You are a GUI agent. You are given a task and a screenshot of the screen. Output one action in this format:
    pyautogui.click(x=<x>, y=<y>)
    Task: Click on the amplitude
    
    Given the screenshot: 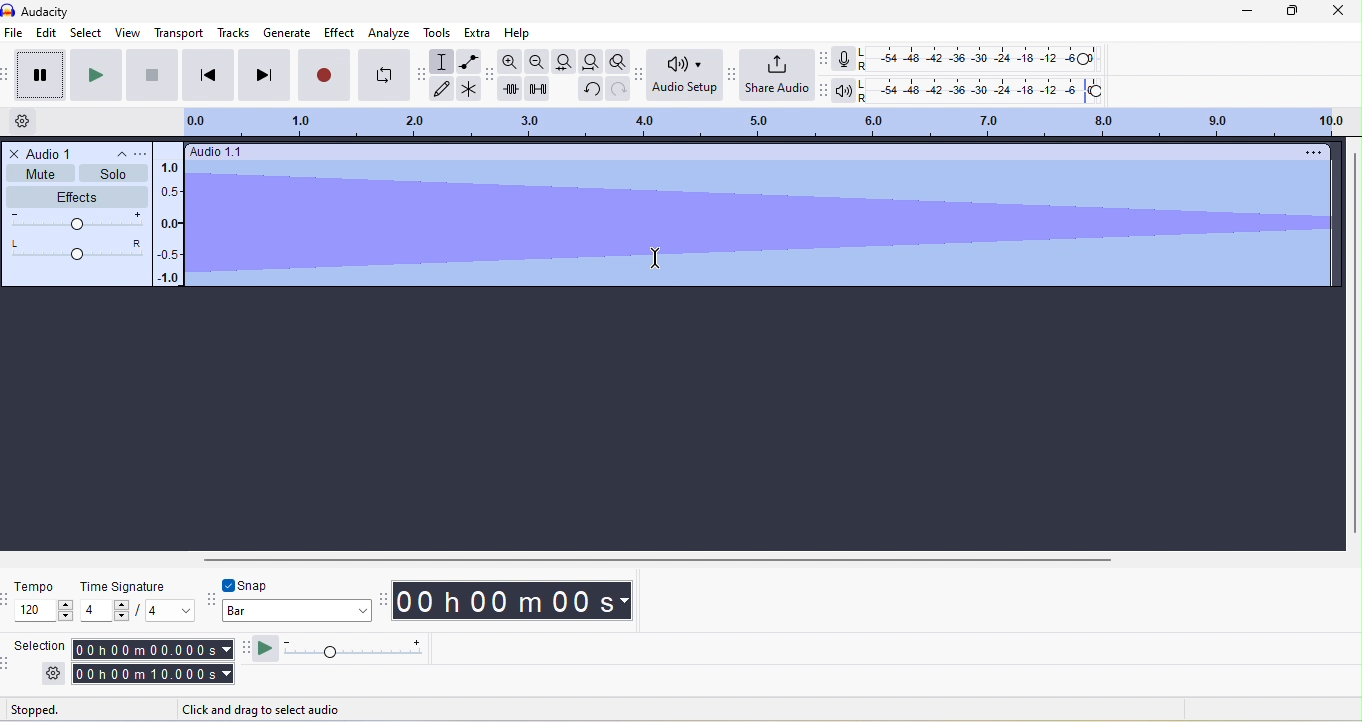 What is the action you would take?
    pyautogui.click(x=170, y=224)
    